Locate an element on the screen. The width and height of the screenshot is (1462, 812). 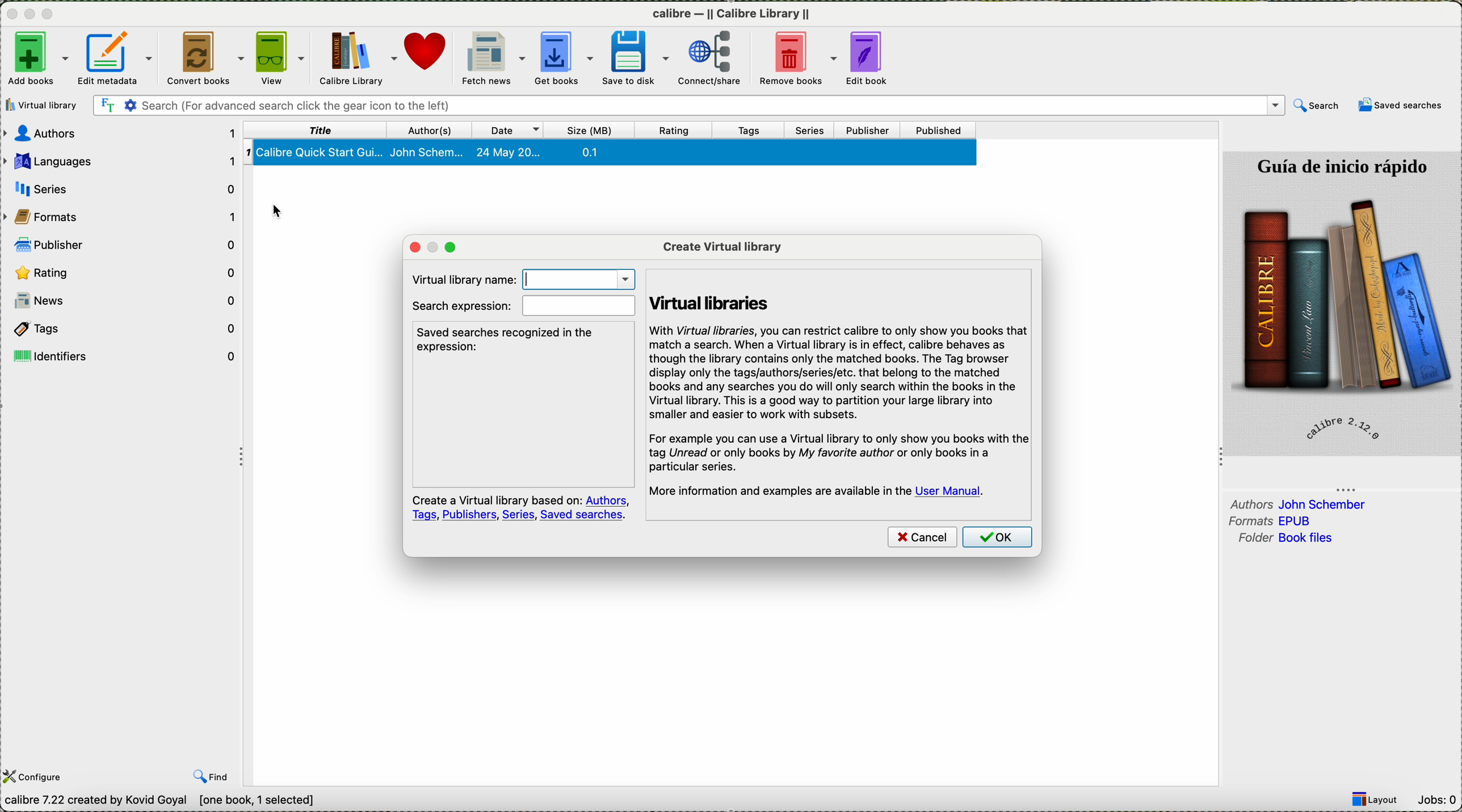
save to disk is located at coordinates (640, 57).